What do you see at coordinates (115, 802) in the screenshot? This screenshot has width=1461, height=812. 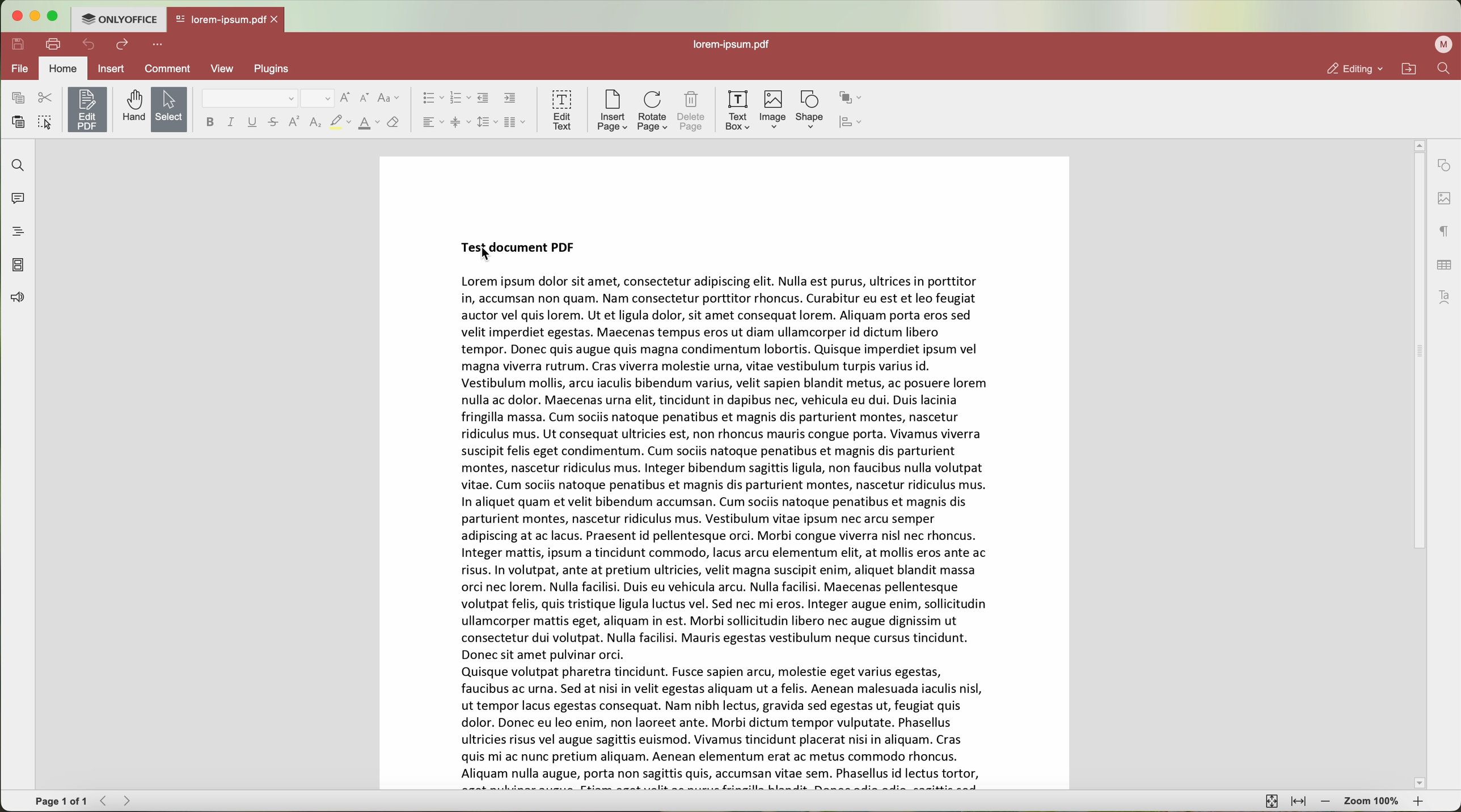 I see `navigate arrows` at bounding box center [115, 802].